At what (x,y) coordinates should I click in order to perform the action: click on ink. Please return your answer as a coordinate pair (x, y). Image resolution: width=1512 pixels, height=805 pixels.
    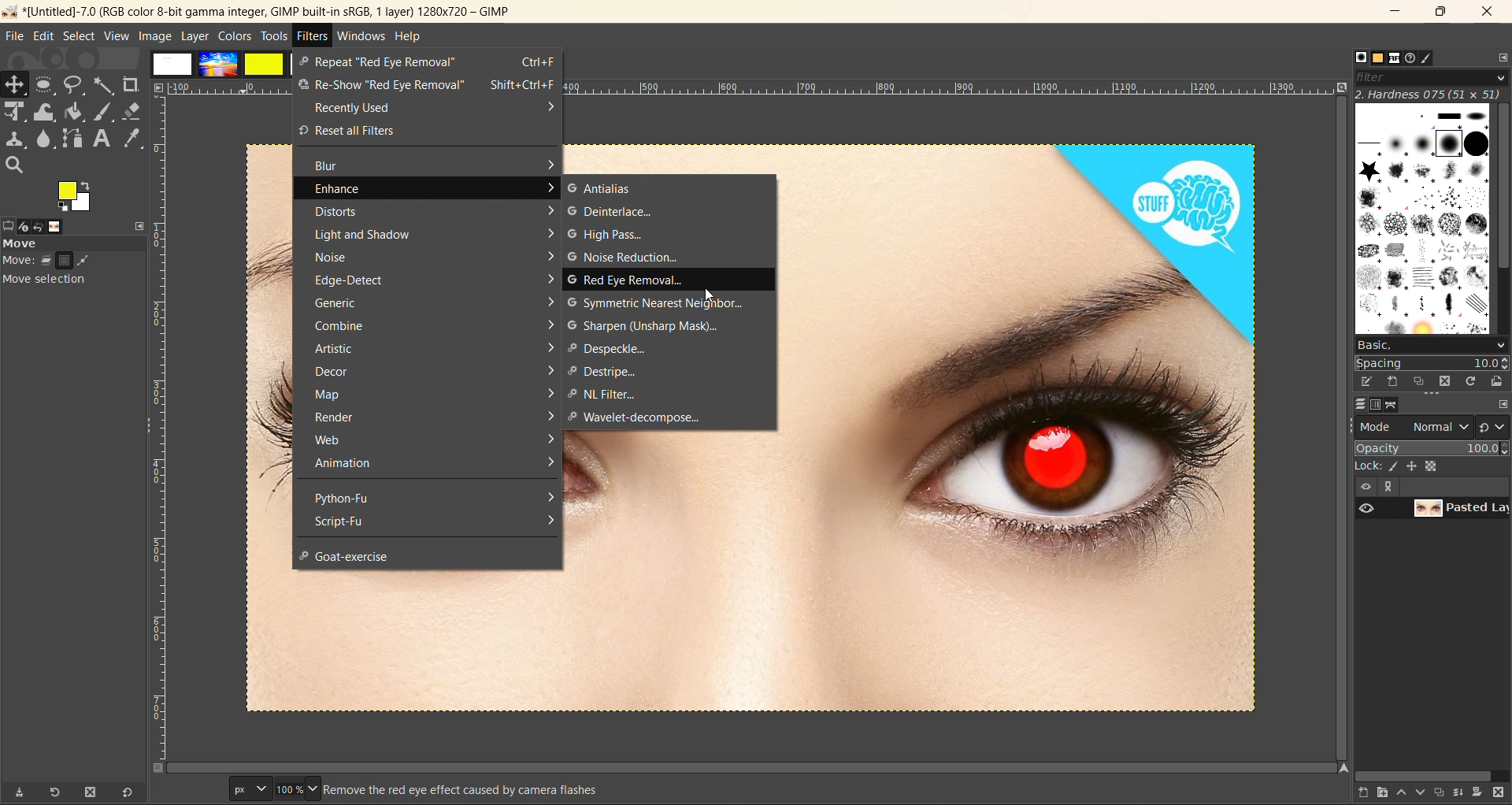
    Looking at the image, I should click on (106, 112).